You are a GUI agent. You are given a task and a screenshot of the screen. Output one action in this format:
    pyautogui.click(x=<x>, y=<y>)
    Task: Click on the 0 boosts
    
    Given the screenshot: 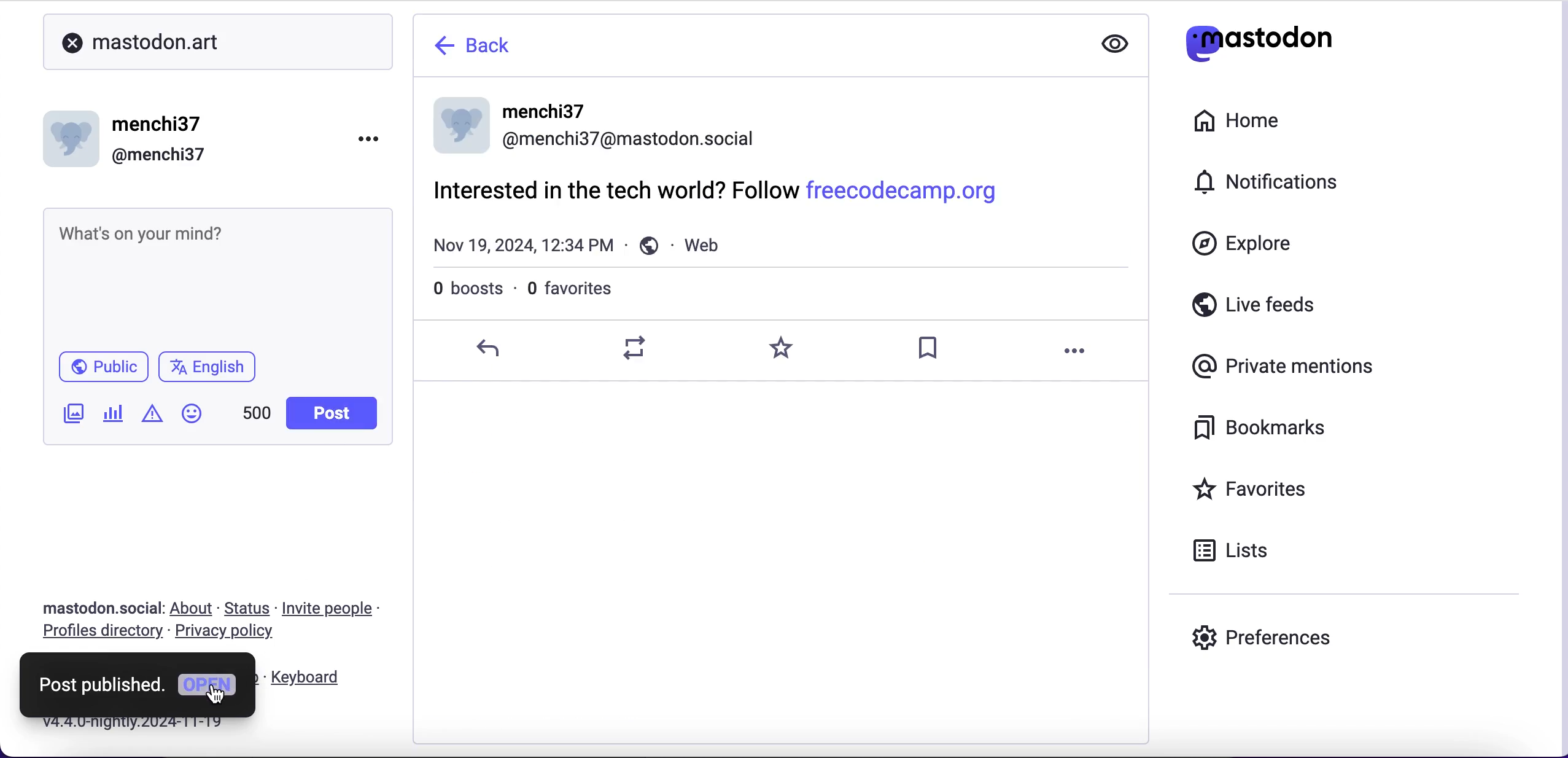 What is the action you would take?
    pyautogui.click(x=460, y=292)
    